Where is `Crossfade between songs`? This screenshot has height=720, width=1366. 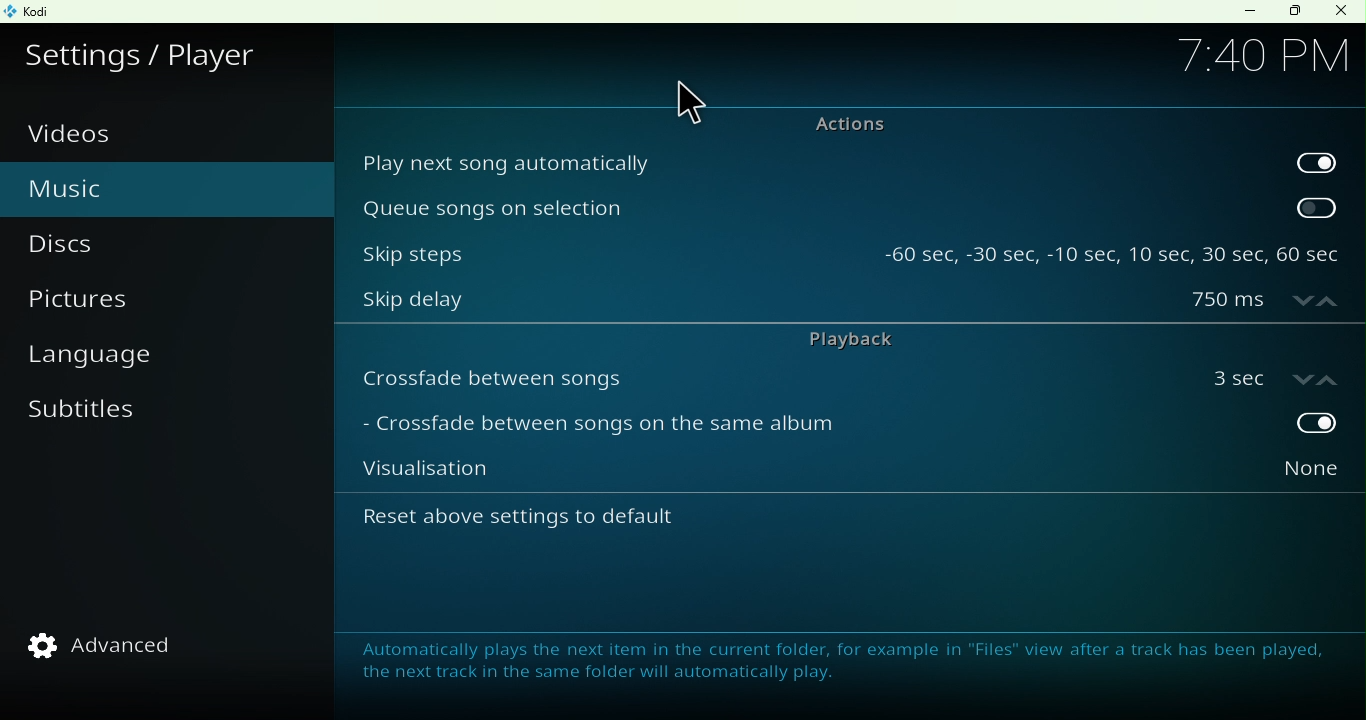
Crossfade between songs is located at coordinates (765, 377).